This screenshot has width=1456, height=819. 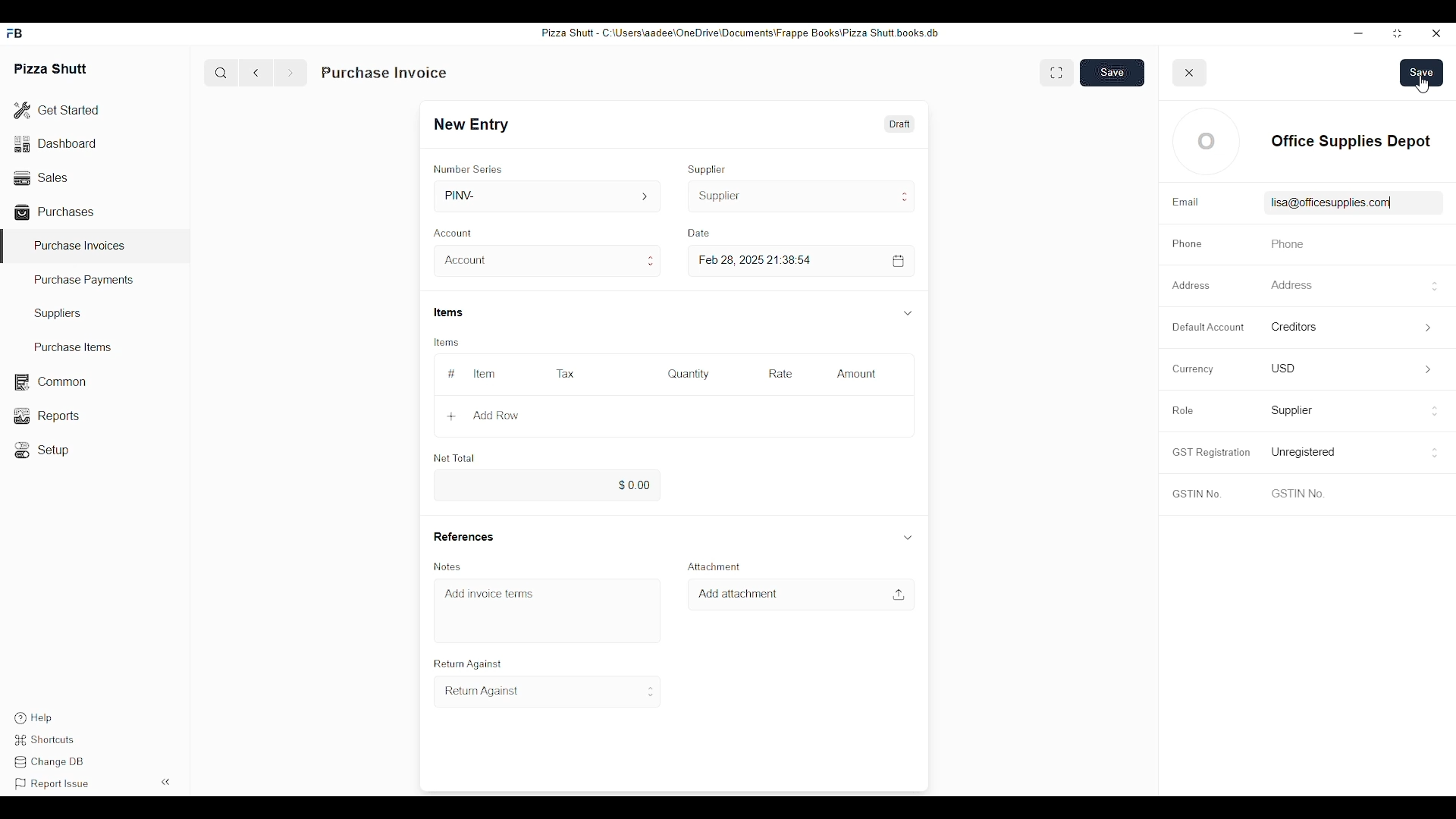 What do you see at coordinates (898, 124) in the screenshot?
I see `Draft` at bounding box center [898, 124].